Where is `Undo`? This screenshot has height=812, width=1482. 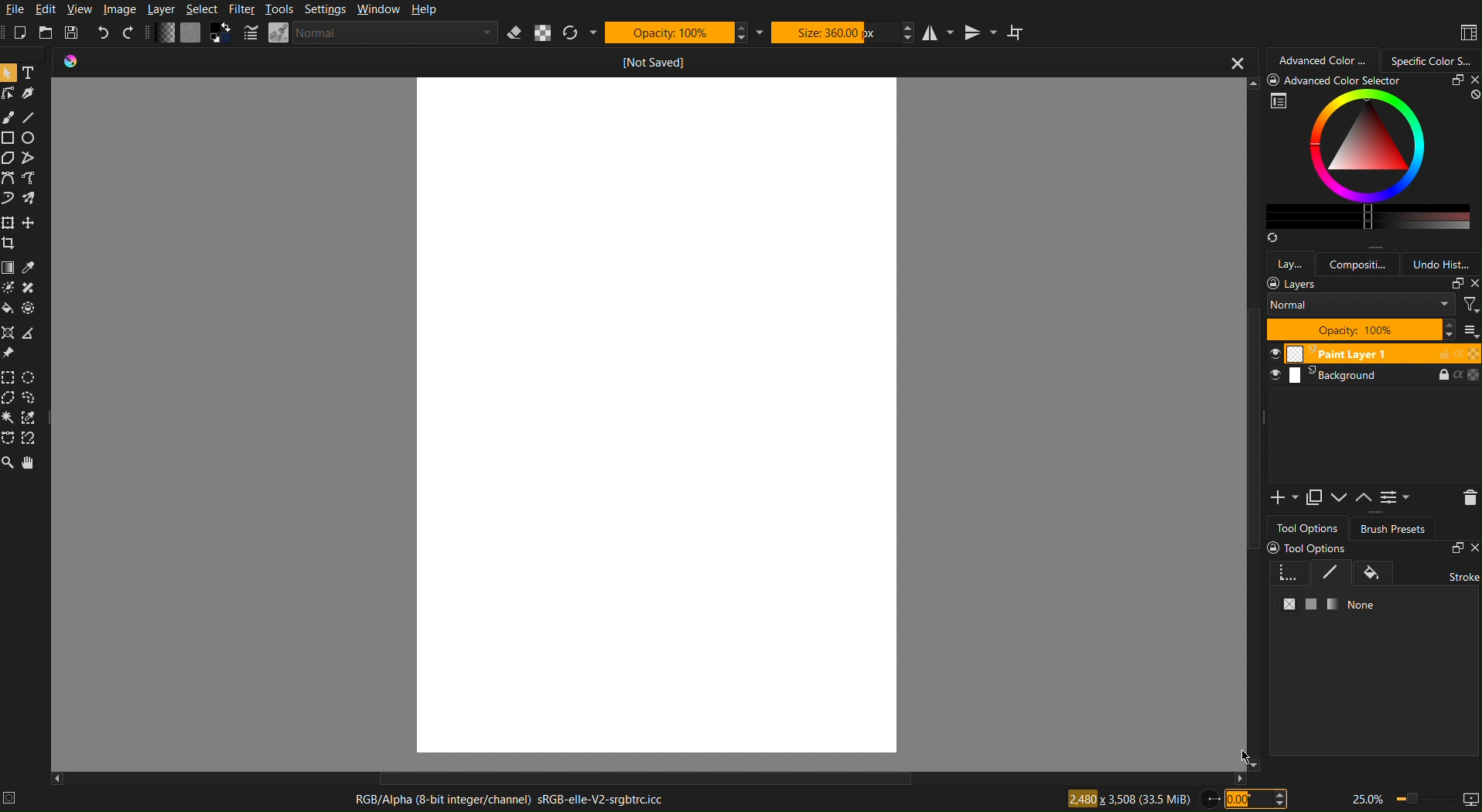
Undo is located at coordinates (103, 33).